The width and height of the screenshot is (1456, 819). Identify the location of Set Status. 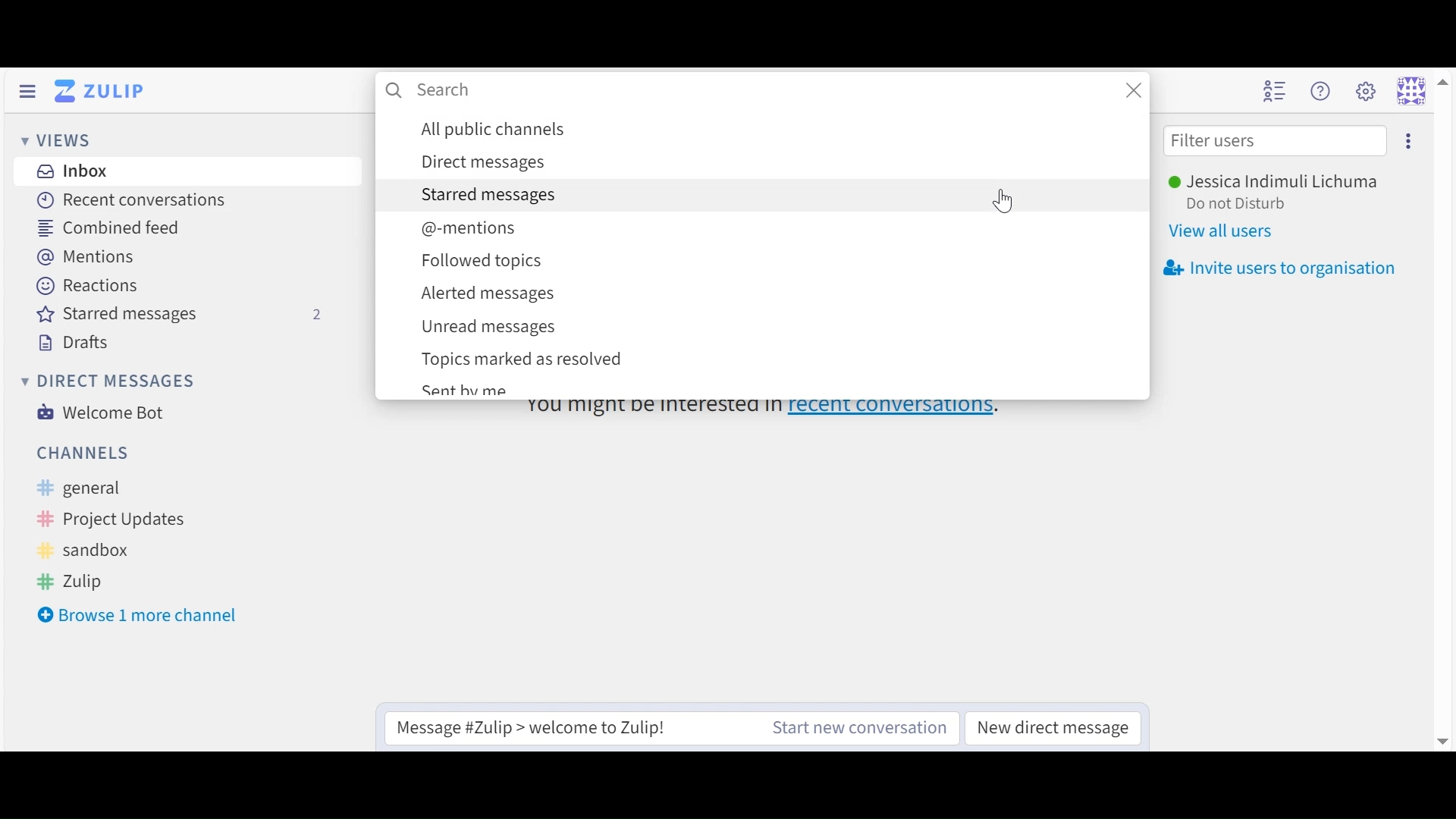
(1241, 204).